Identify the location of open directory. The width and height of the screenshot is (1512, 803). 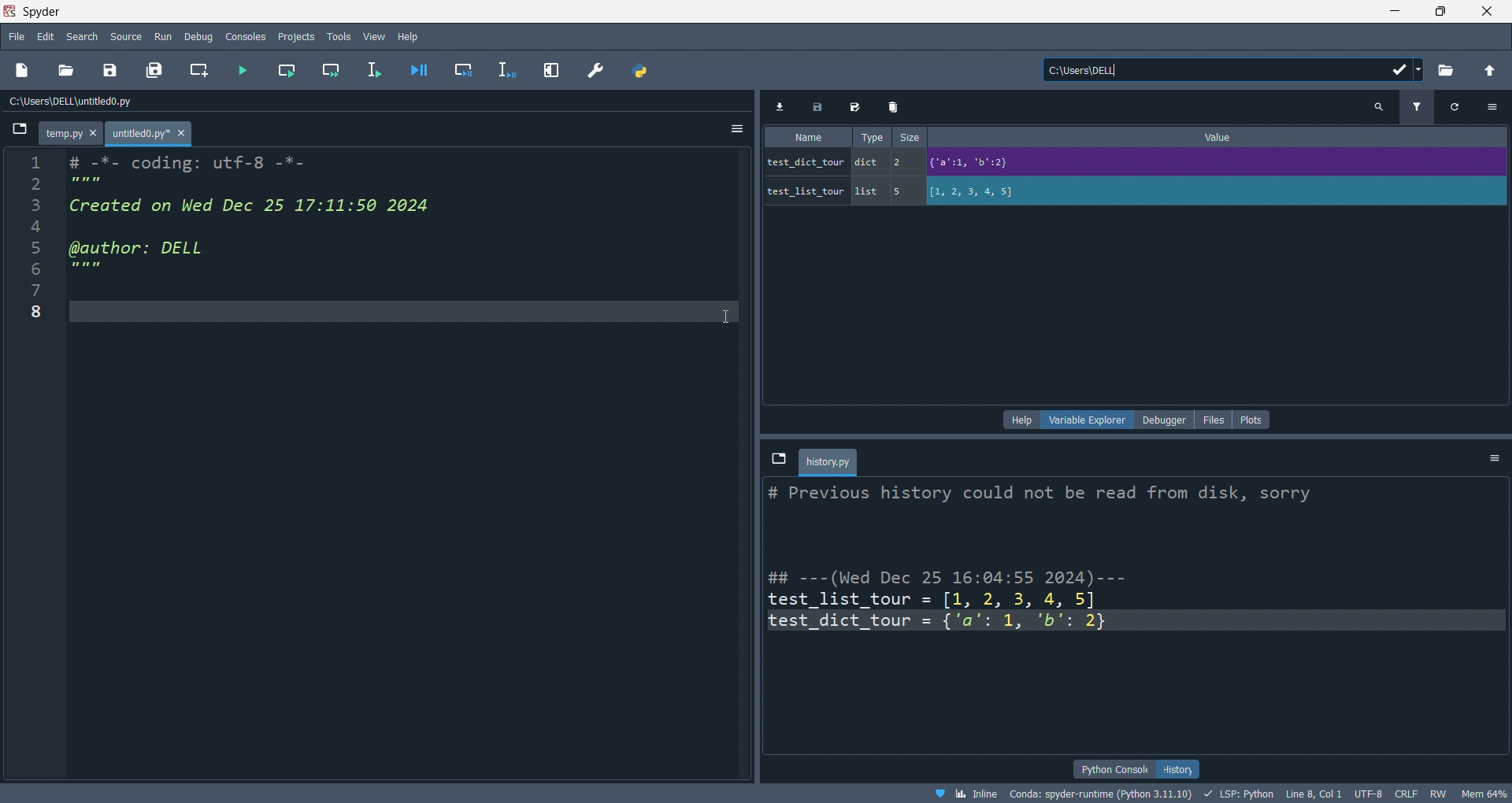
(1445, 71).